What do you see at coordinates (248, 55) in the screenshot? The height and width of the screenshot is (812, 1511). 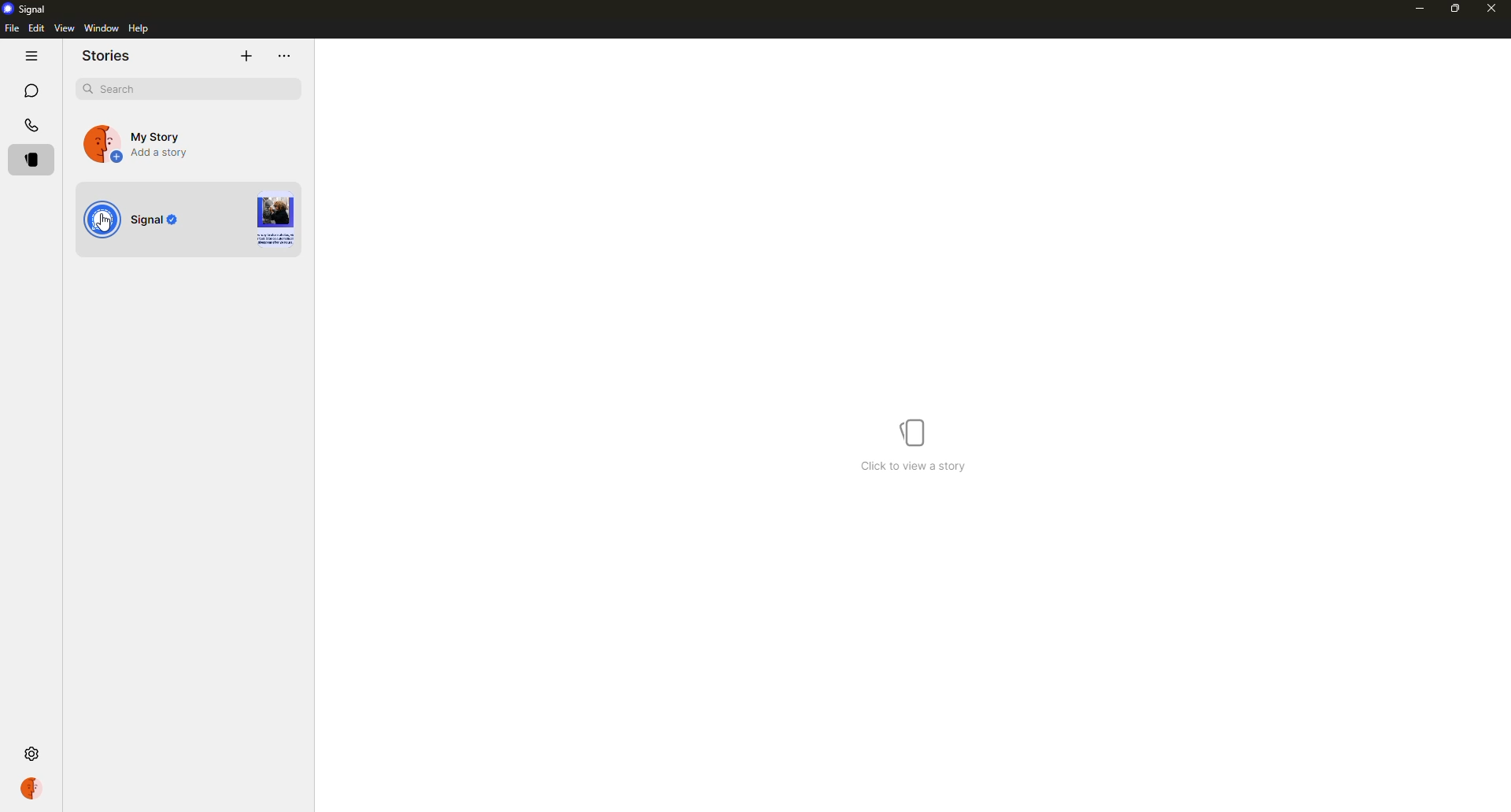 I see `add` at bounding box center [248, 55].